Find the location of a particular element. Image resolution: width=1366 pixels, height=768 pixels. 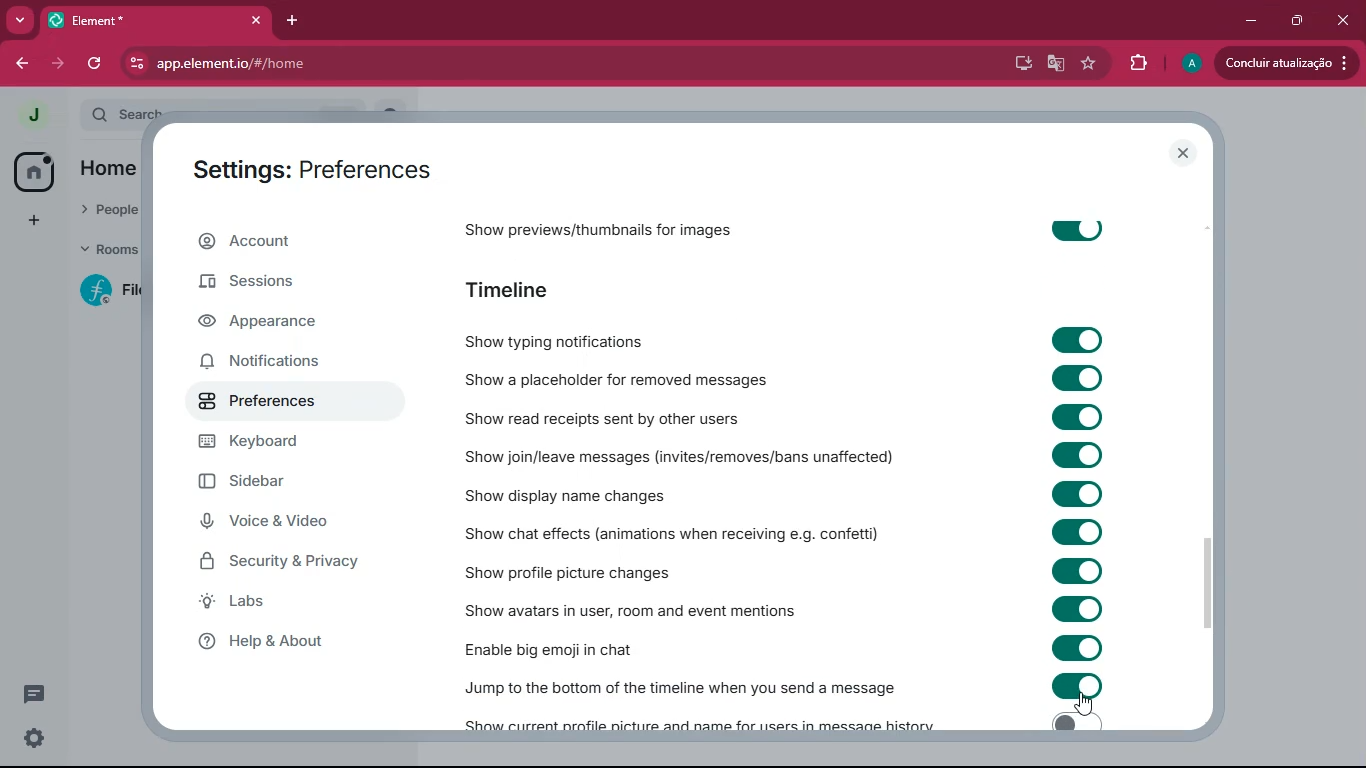

forward is located at coordinates (56, 64).